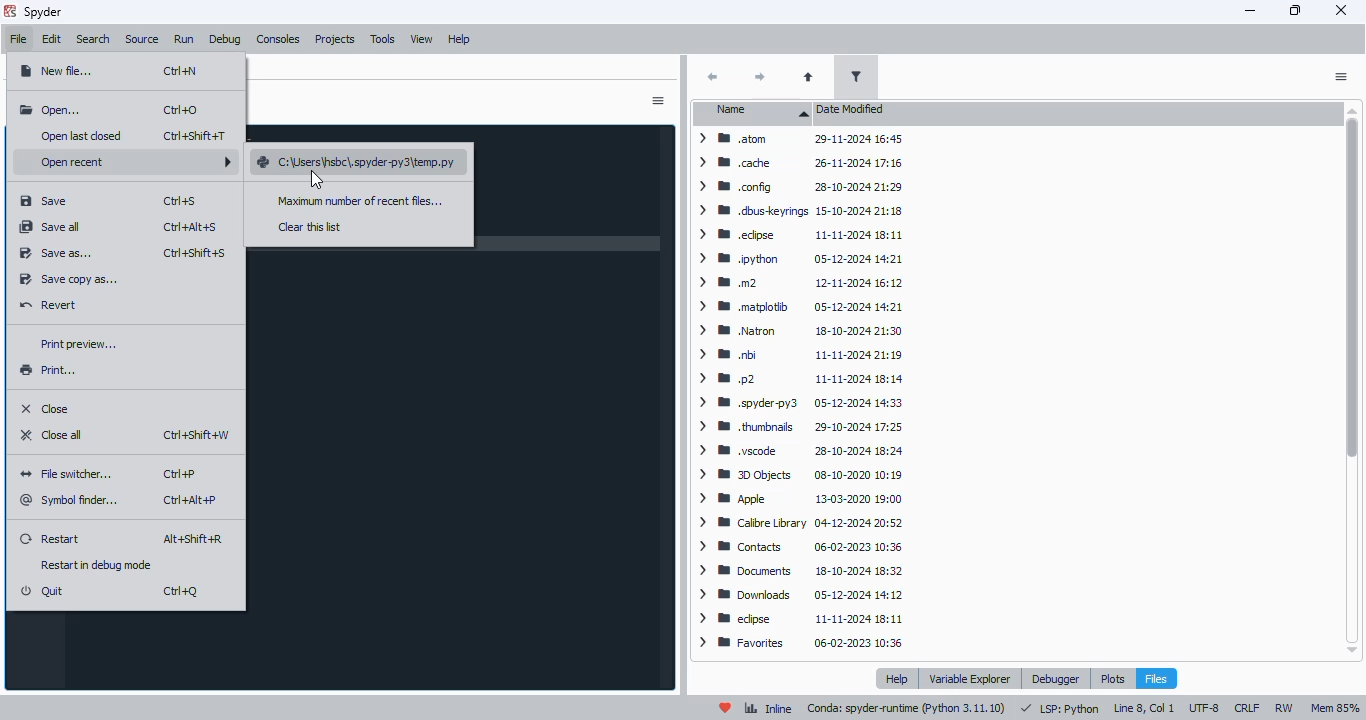 This screenshot has height=720, width=1366. Describe the element at coordinates (183, 110) in the screenshot. I see `shortcut for open` at that location.